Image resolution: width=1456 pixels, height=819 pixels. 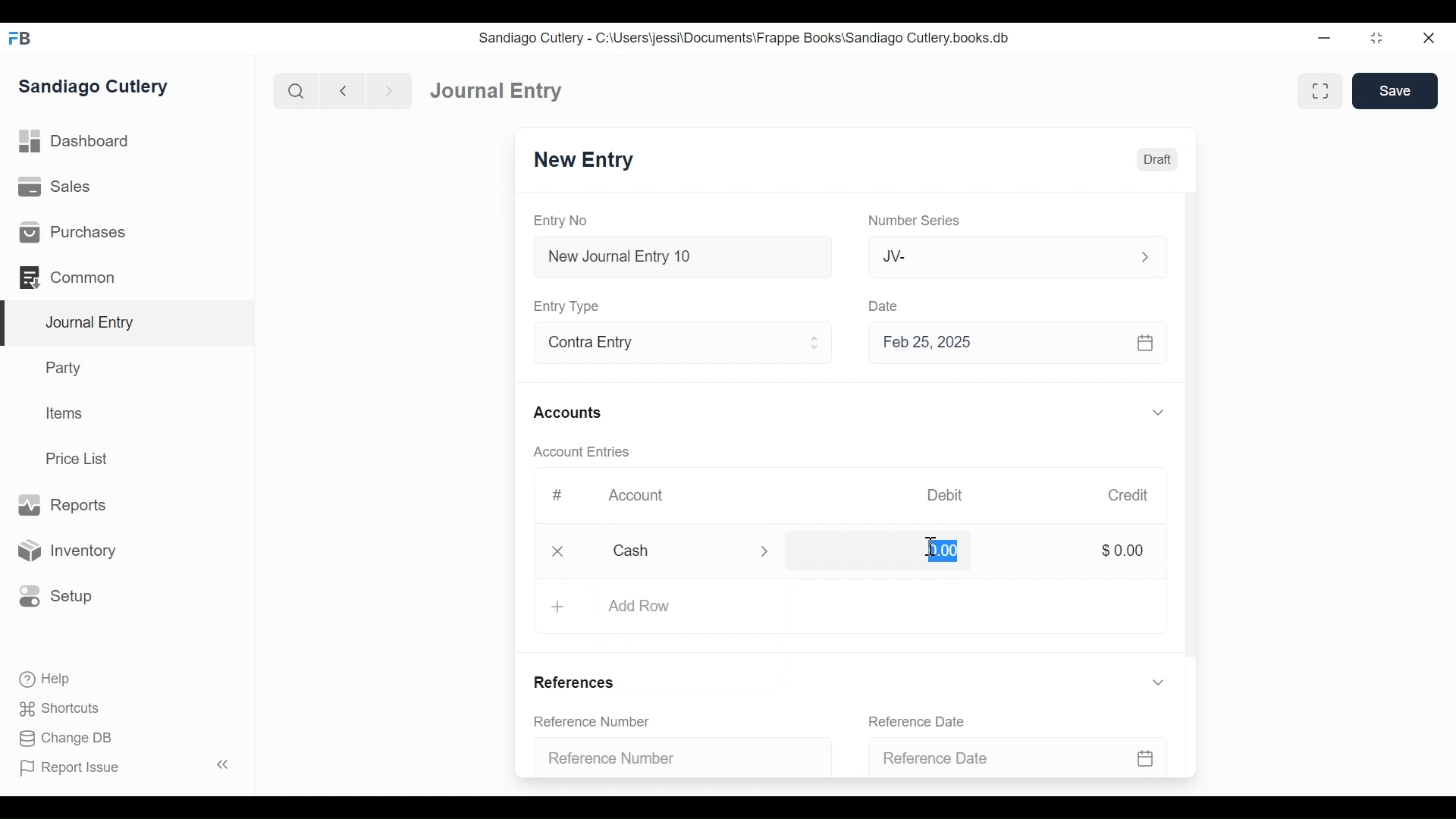 What do you see at coordinates (922, 720) in the screenshot?
I see `Reference Date` at bounding box center [922, 720].